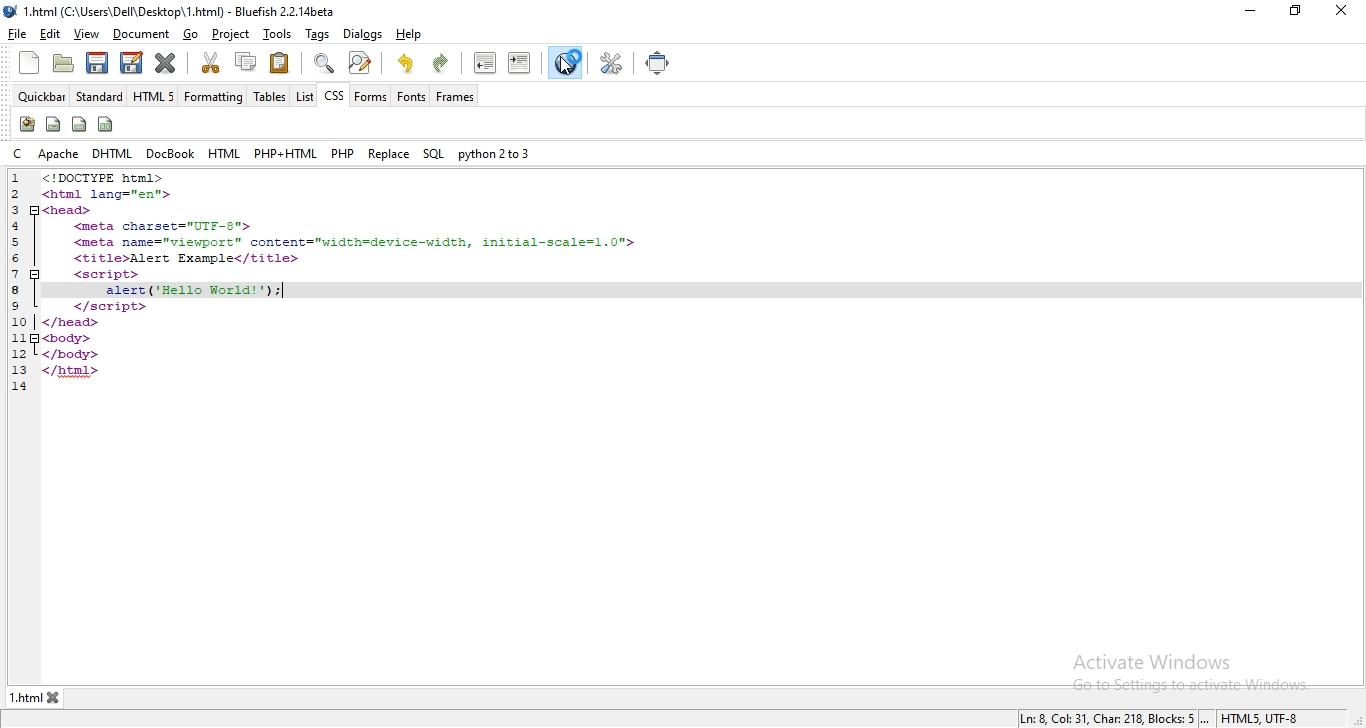  I want to click on file, so click(19, 34).